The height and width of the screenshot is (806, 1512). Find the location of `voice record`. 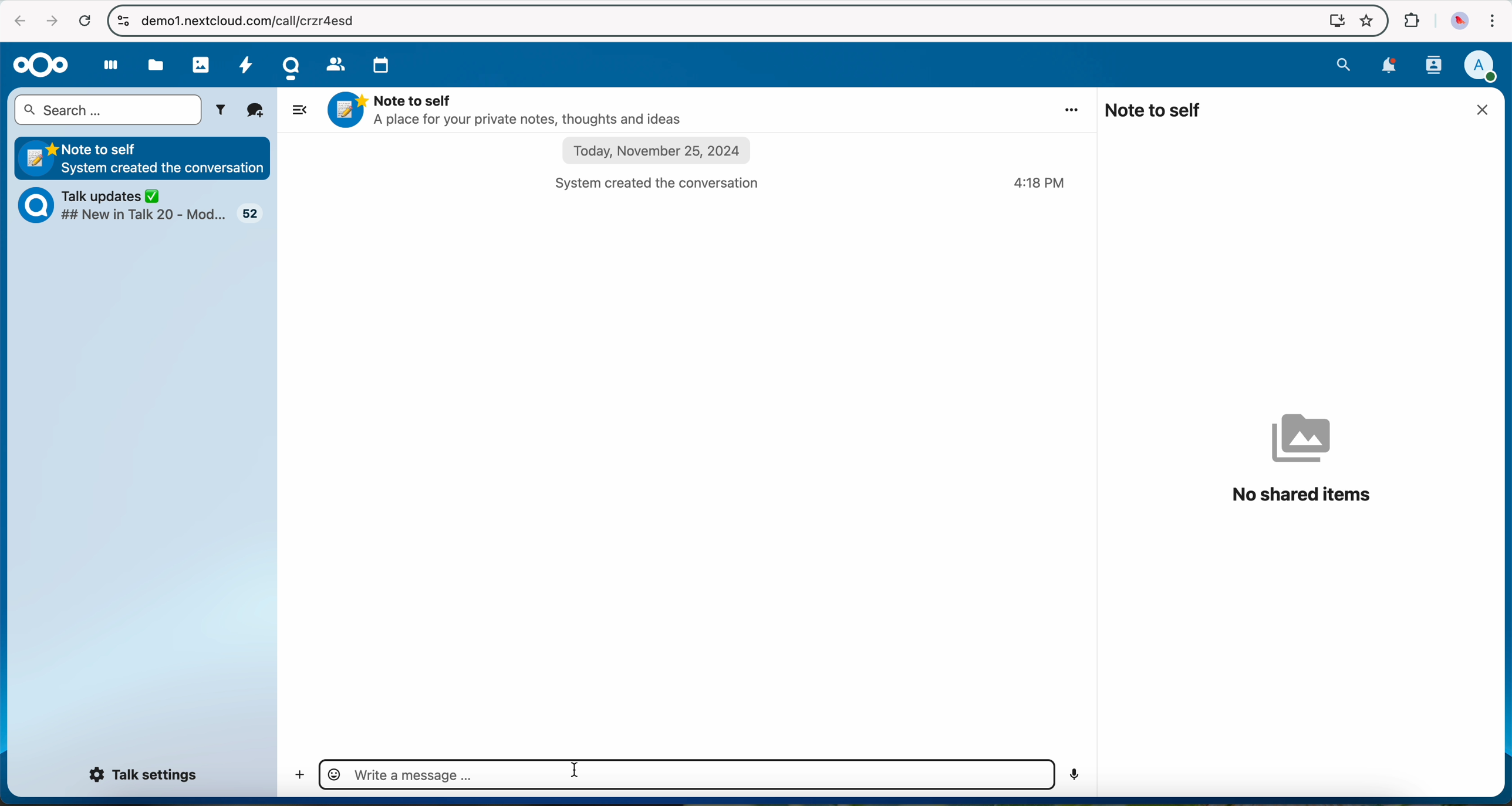

voice record is located at coordinates (1077, 774).